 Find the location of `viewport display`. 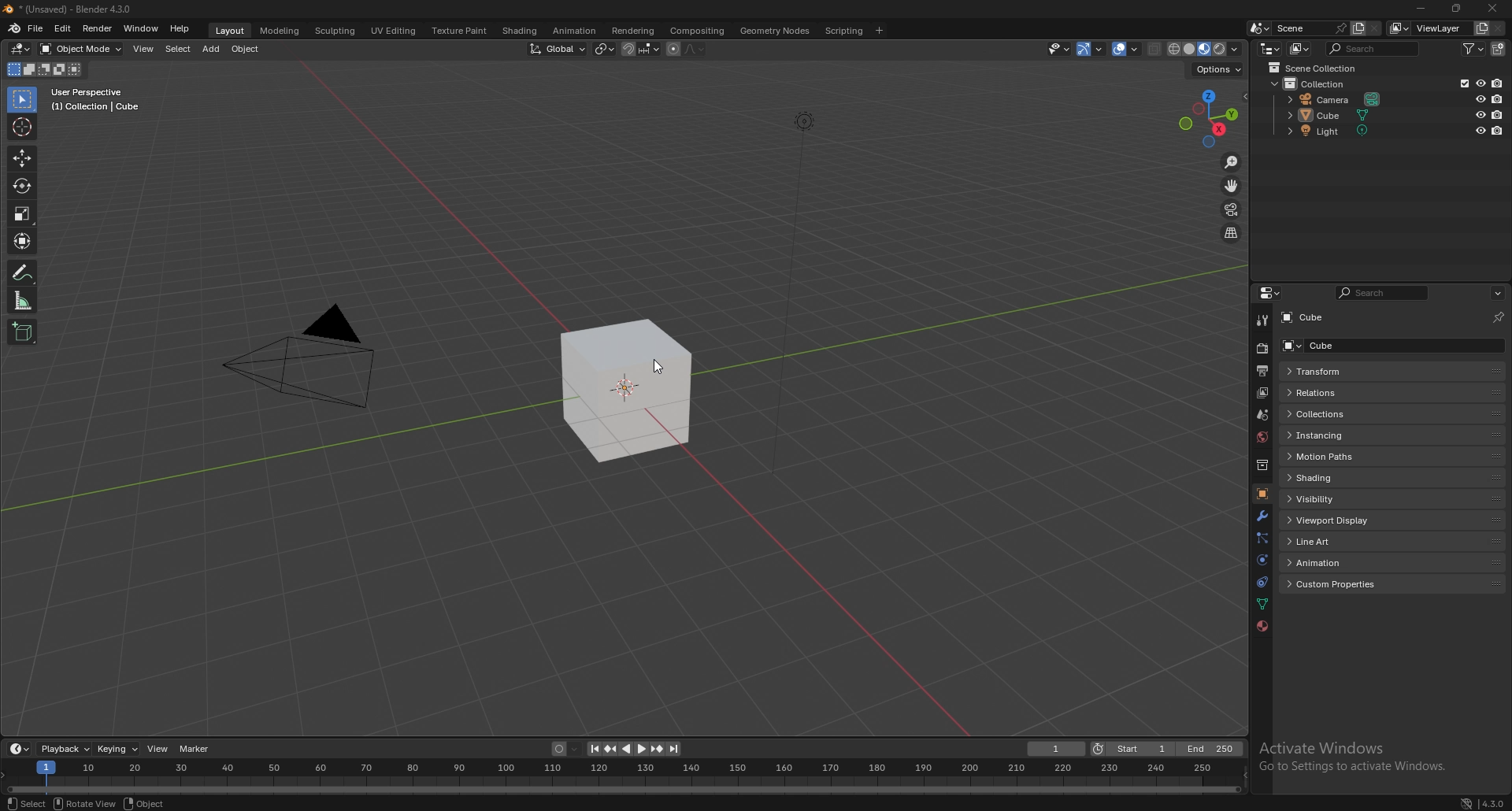

viewport display is located at coordinates (1335, 519).